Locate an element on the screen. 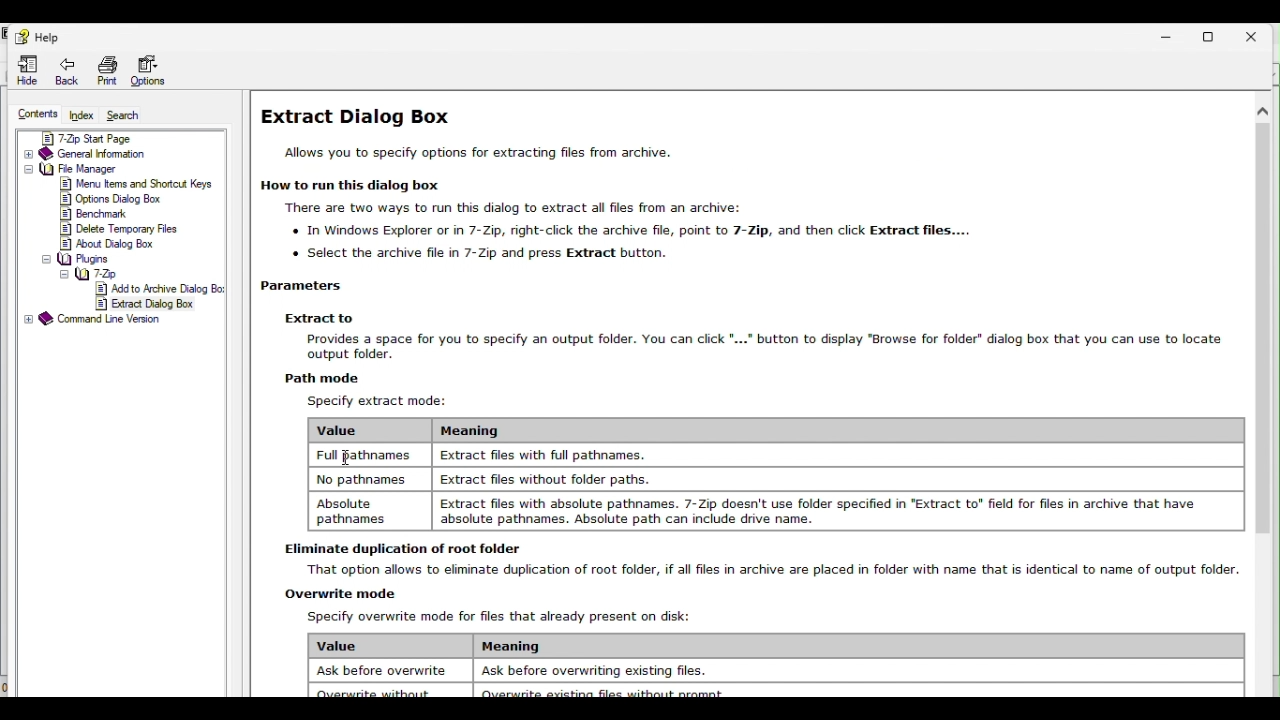  specify is located at coordinates (380, 401).